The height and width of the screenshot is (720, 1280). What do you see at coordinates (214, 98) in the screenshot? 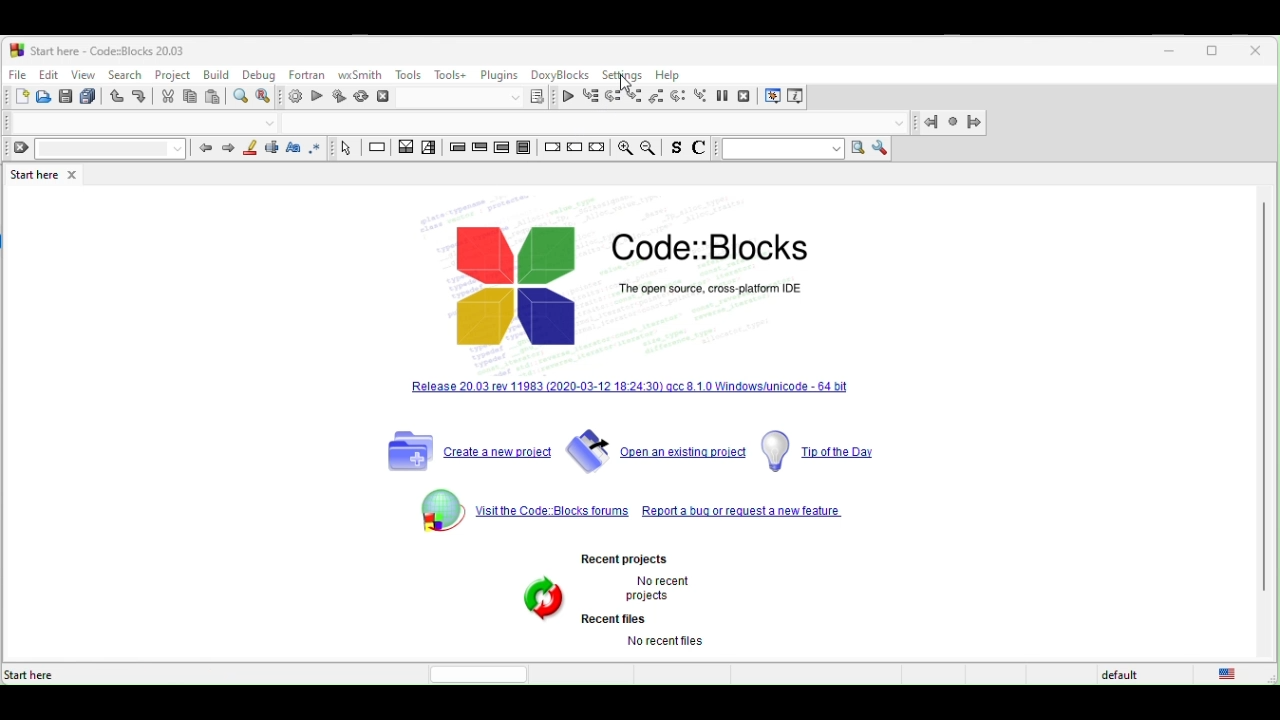
I see `paste` at bounding box center [214, 98].